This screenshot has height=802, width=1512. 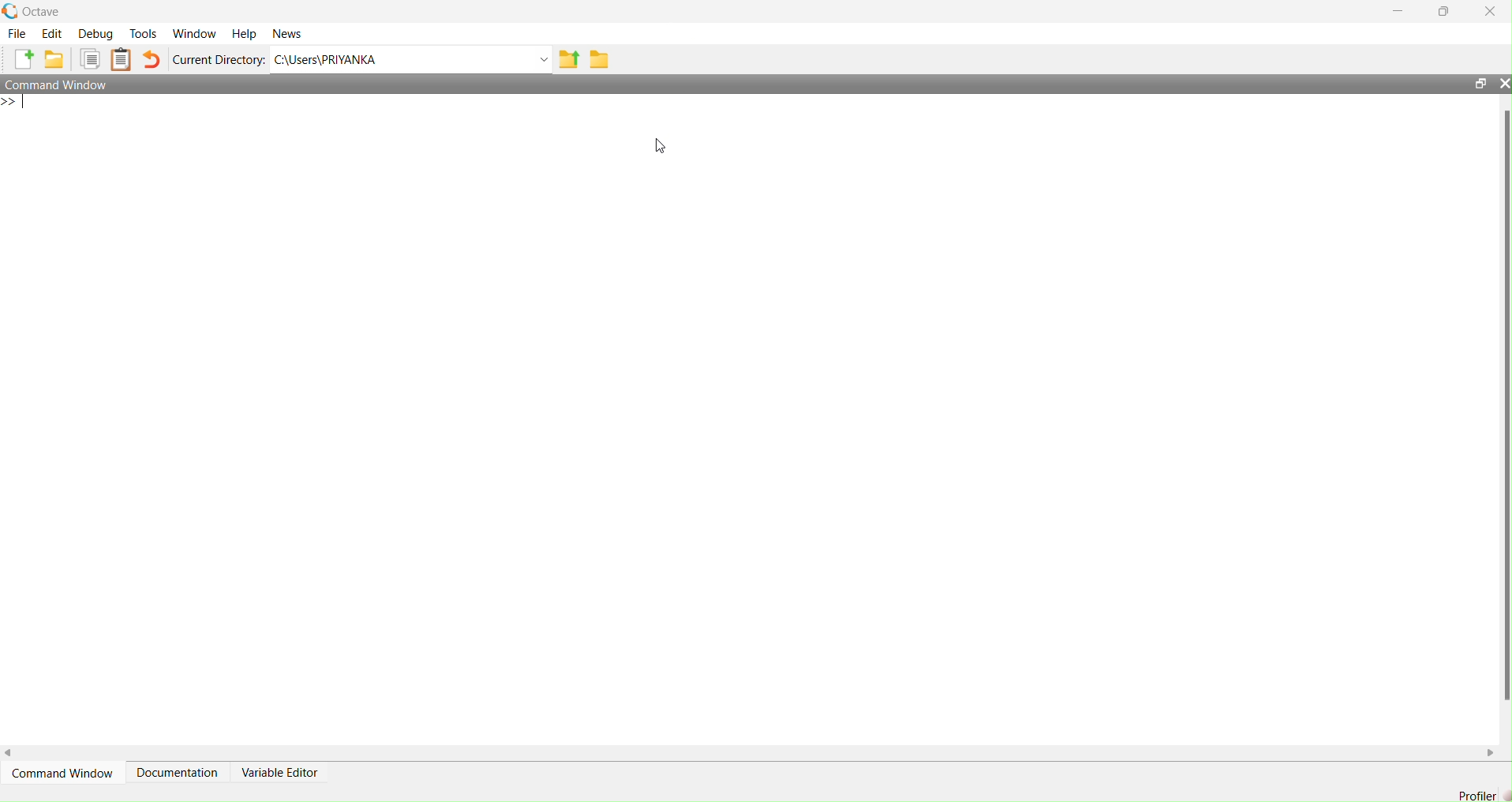 I want to click on Documentation, so click(x=174, y=766).